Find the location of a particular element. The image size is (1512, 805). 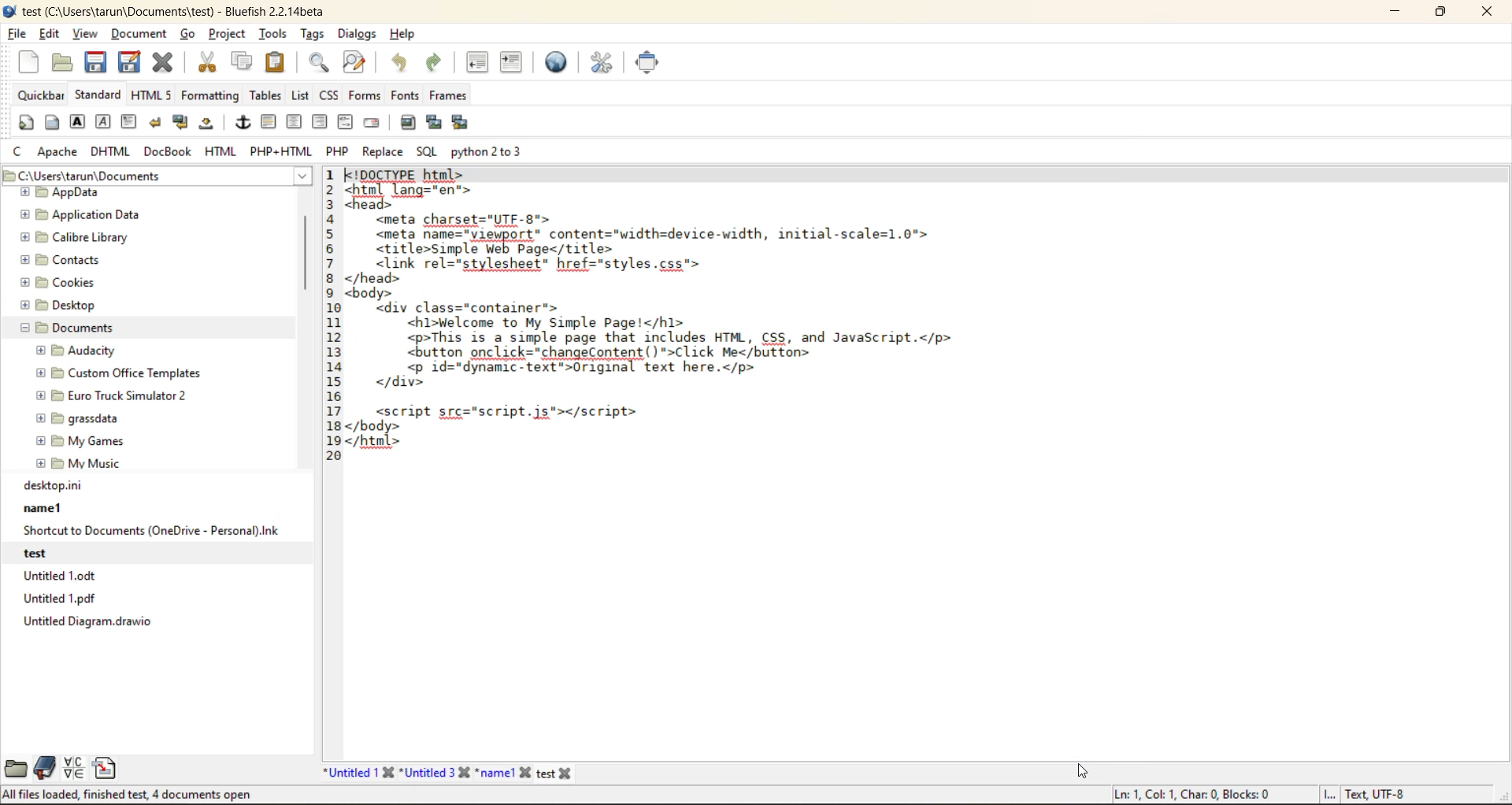

body is located at coordinates (52, 124).